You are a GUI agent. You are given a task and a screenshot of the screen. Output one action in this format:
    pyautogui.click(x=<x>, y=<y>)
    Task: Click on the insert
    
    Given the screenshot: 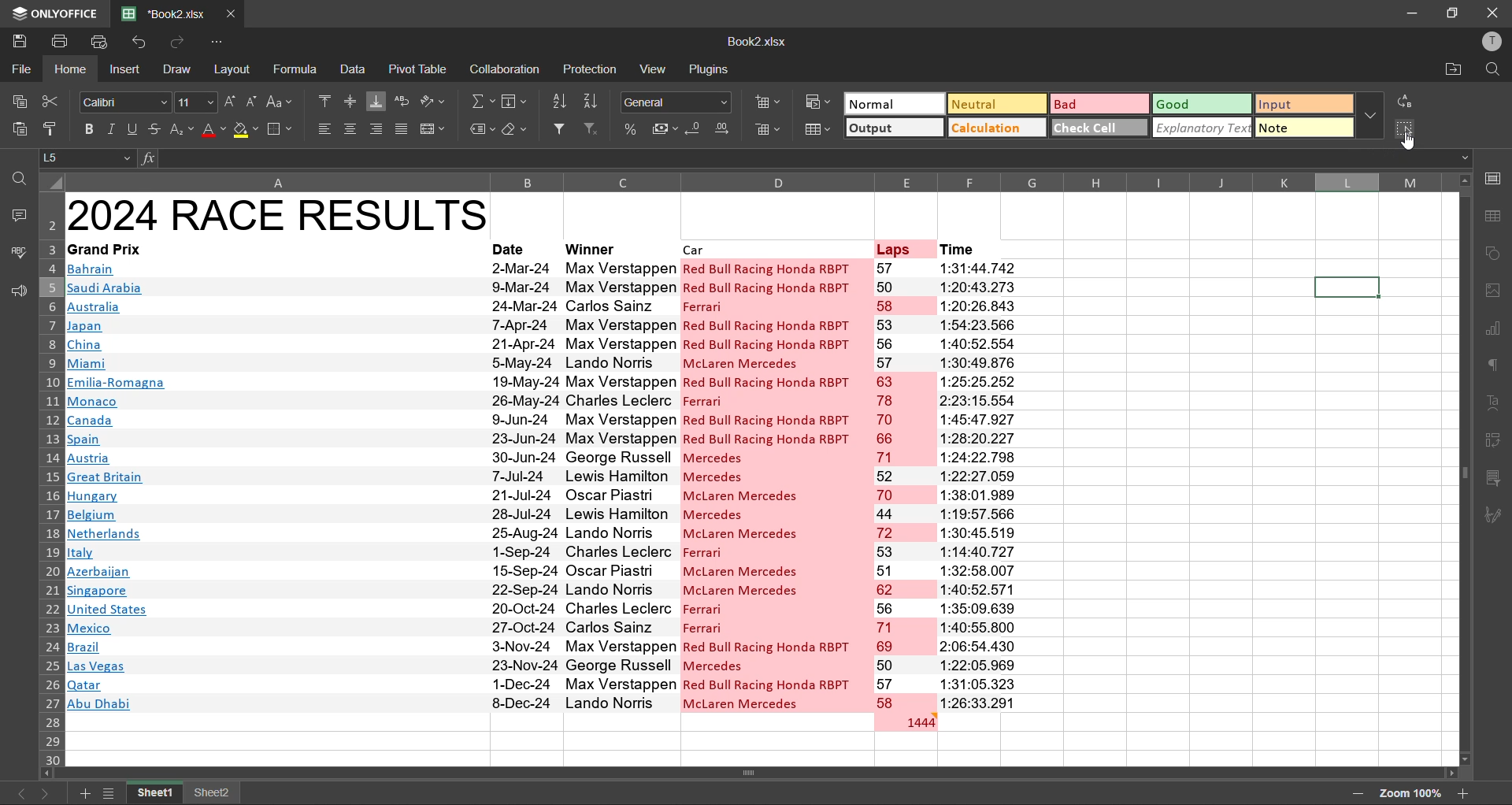 What is the action you would take?
    pyautogui.click(x=124, y=70)
    